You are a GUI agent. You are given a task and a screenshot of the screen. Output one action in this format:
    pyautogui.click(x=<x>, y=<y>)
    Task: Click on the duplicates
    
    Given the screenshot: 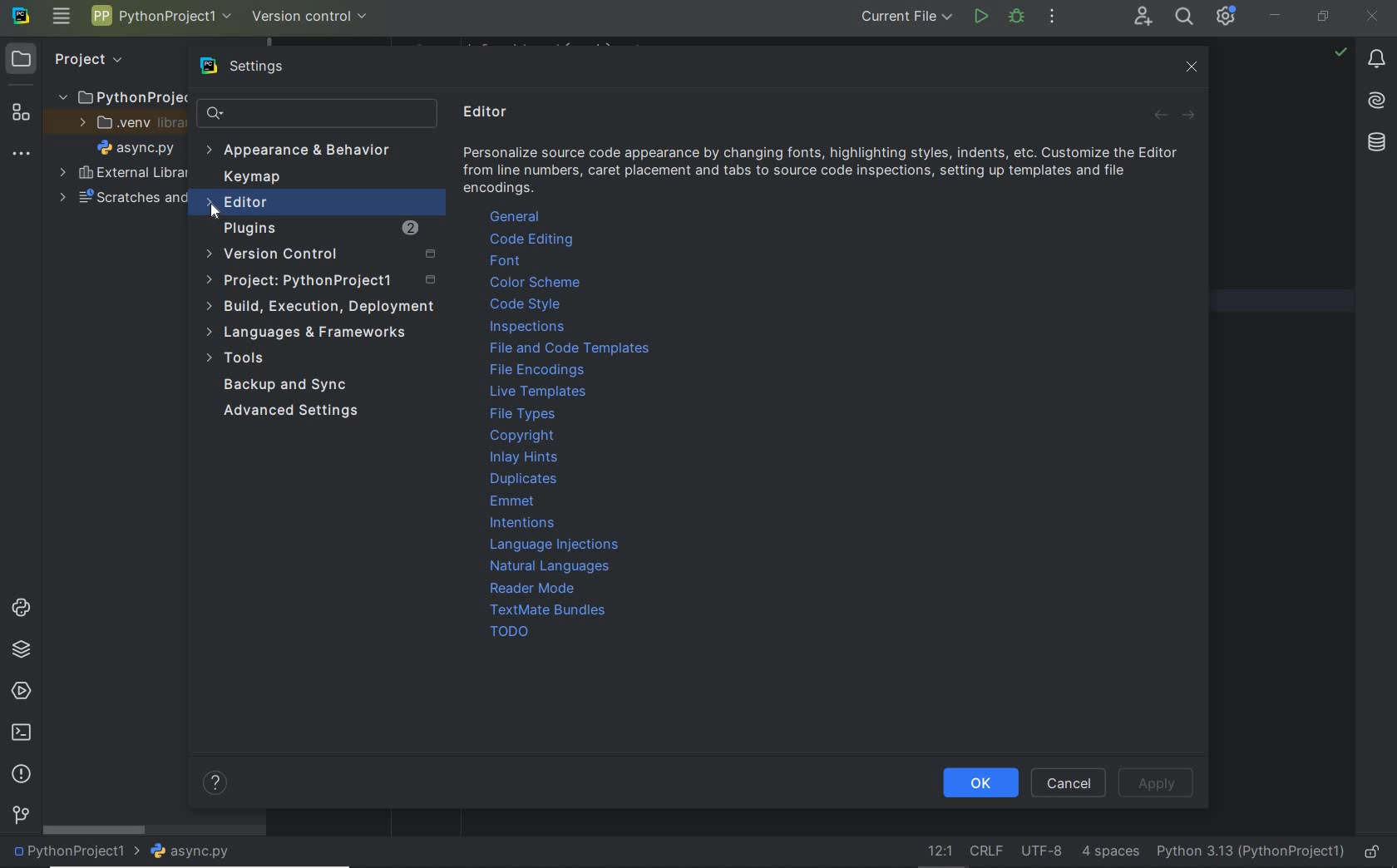 What is the action you would take?
    pyautogui.click(x=526, y=481)
    